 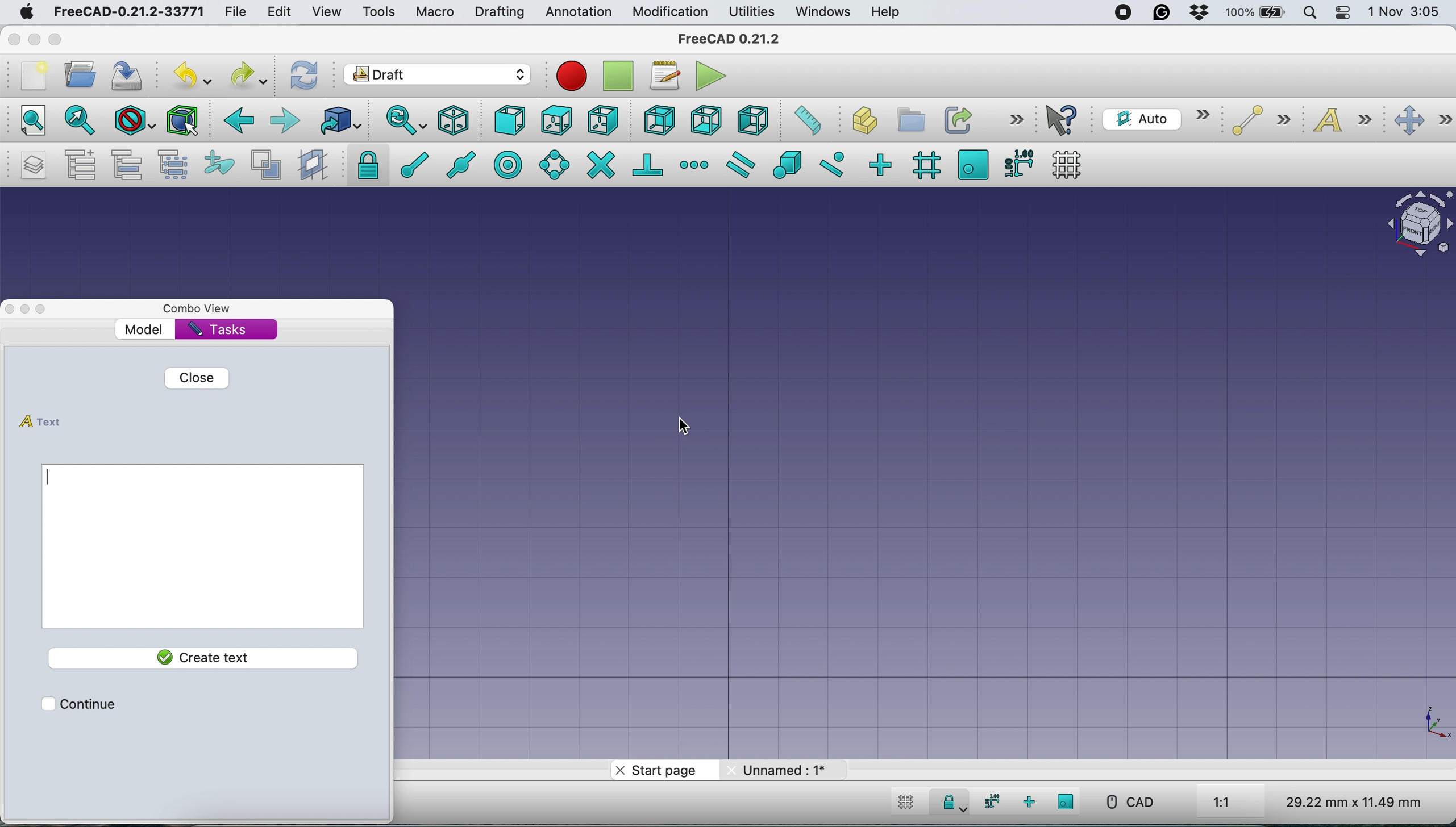 I want to click on text, so click(x=1339, y=120).